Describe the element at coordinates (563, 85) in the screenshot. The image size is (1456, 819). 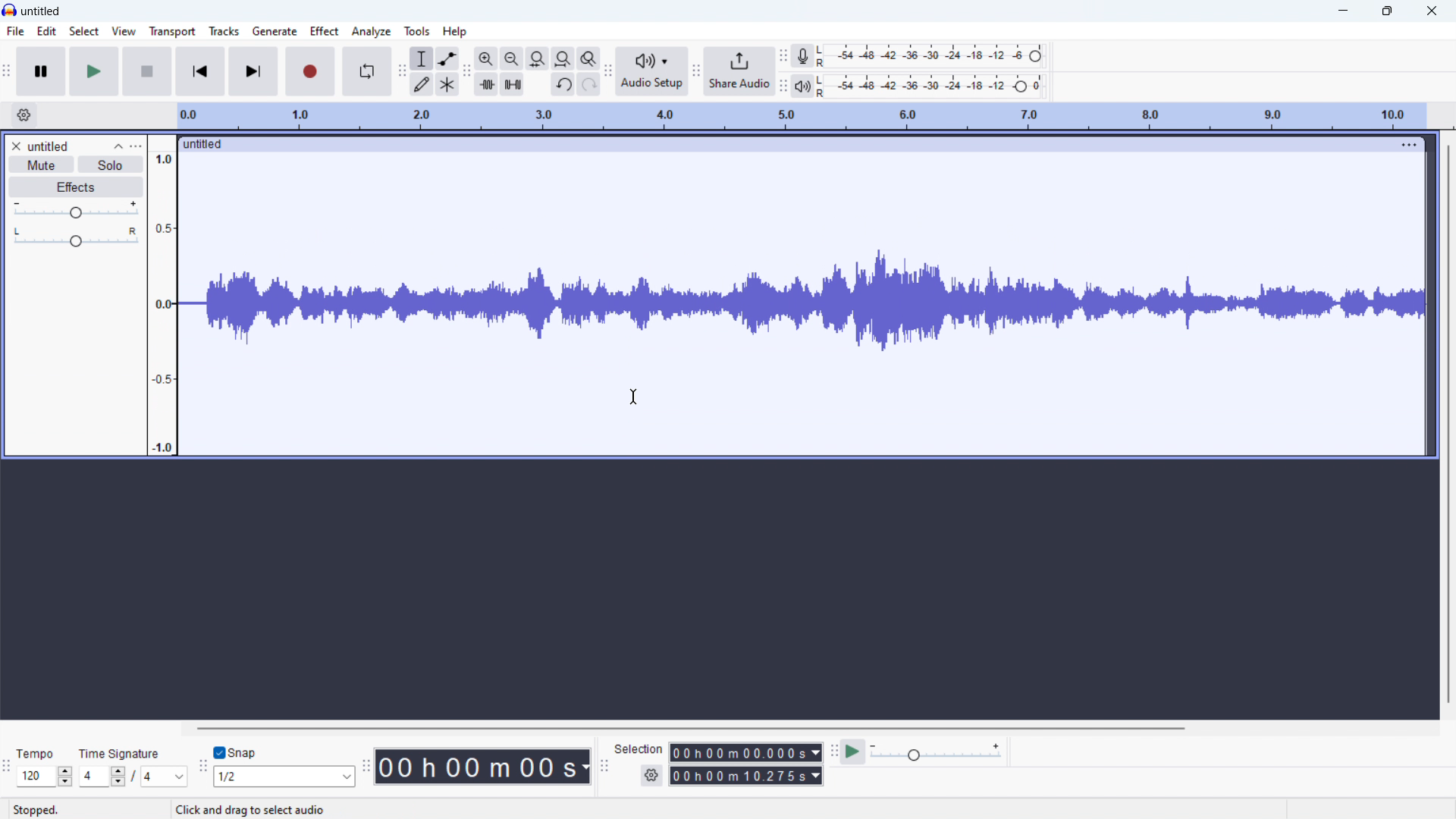
I see `undo` at that location.